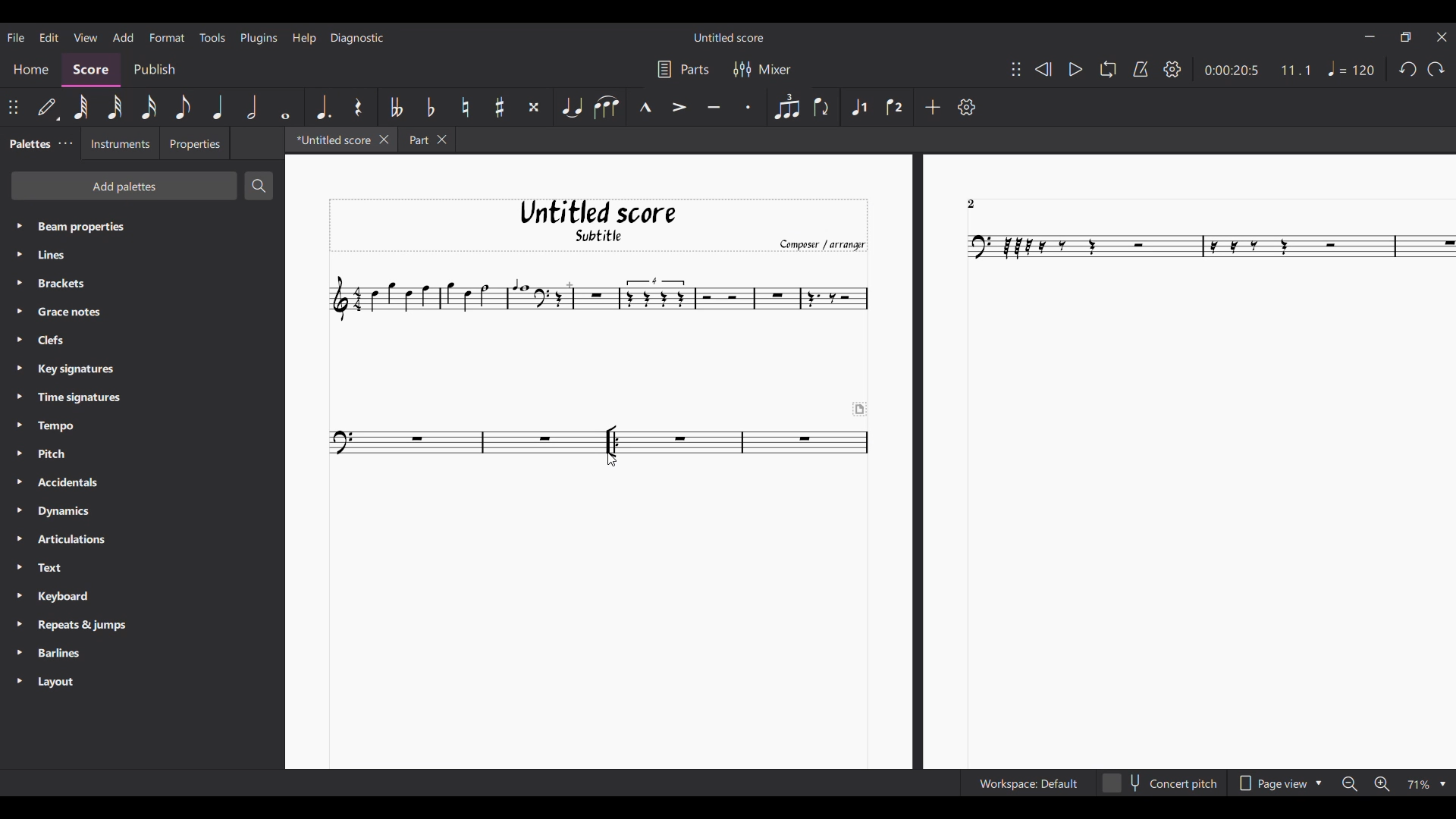 The width and height of the screenshot is (1456, 819). I want to click on Flip direction, so click(824, 107).